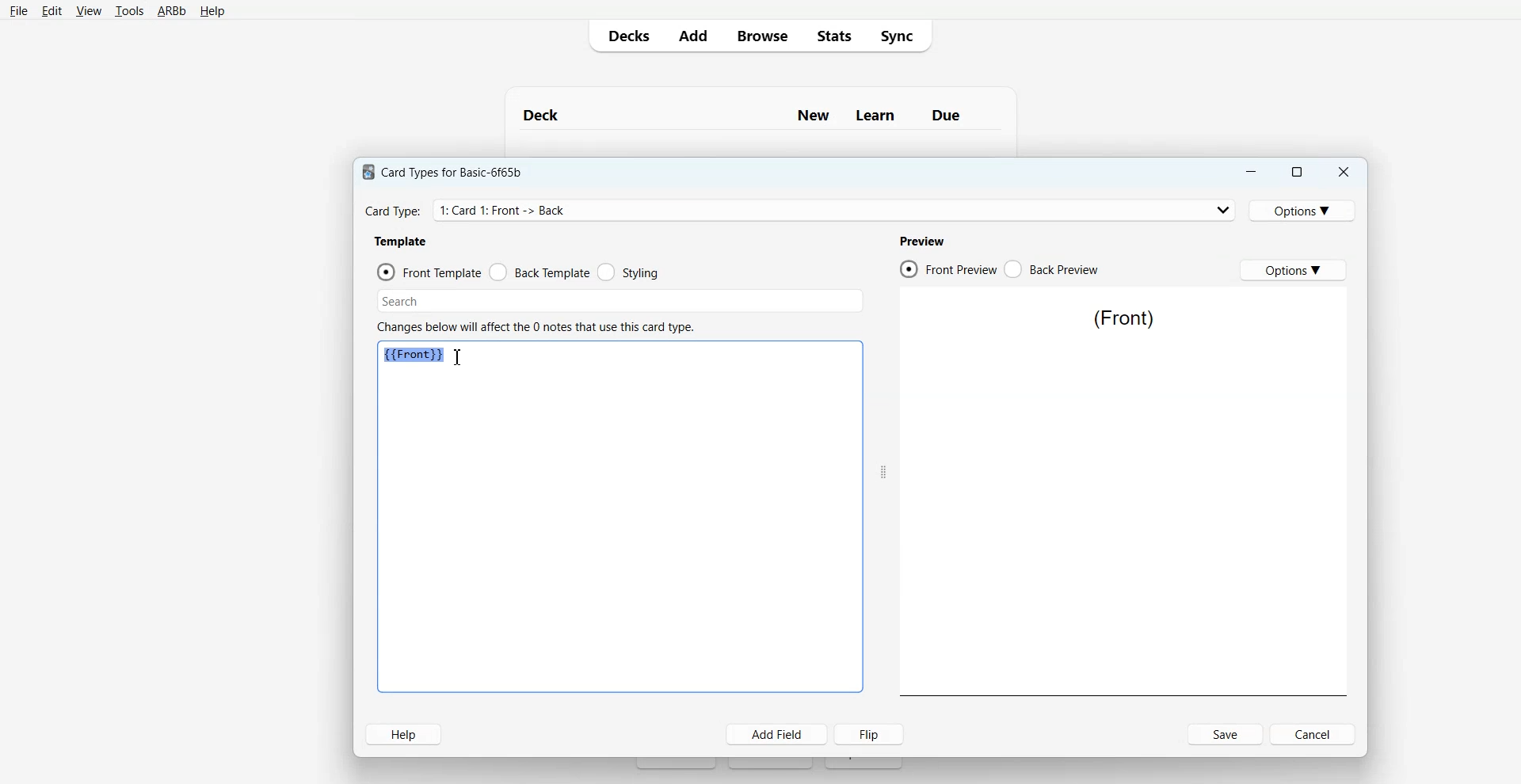 Image resolution: width=1521 pixels, height=784 pixels. I want to click on Add, so click(692, 36).